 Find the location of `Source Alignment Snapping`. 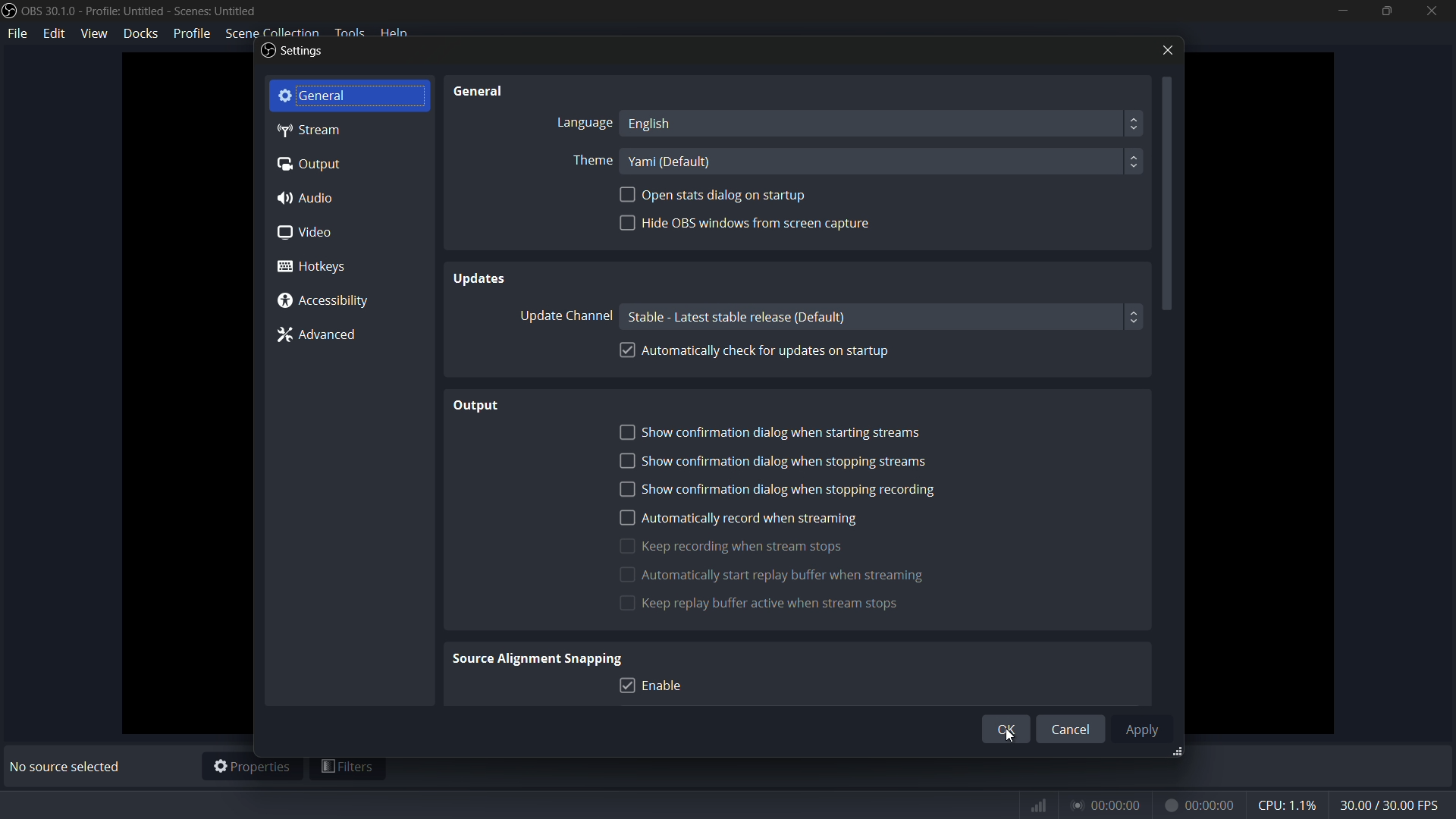

Source Alignment Snapping is located at coordinates (541, 657).